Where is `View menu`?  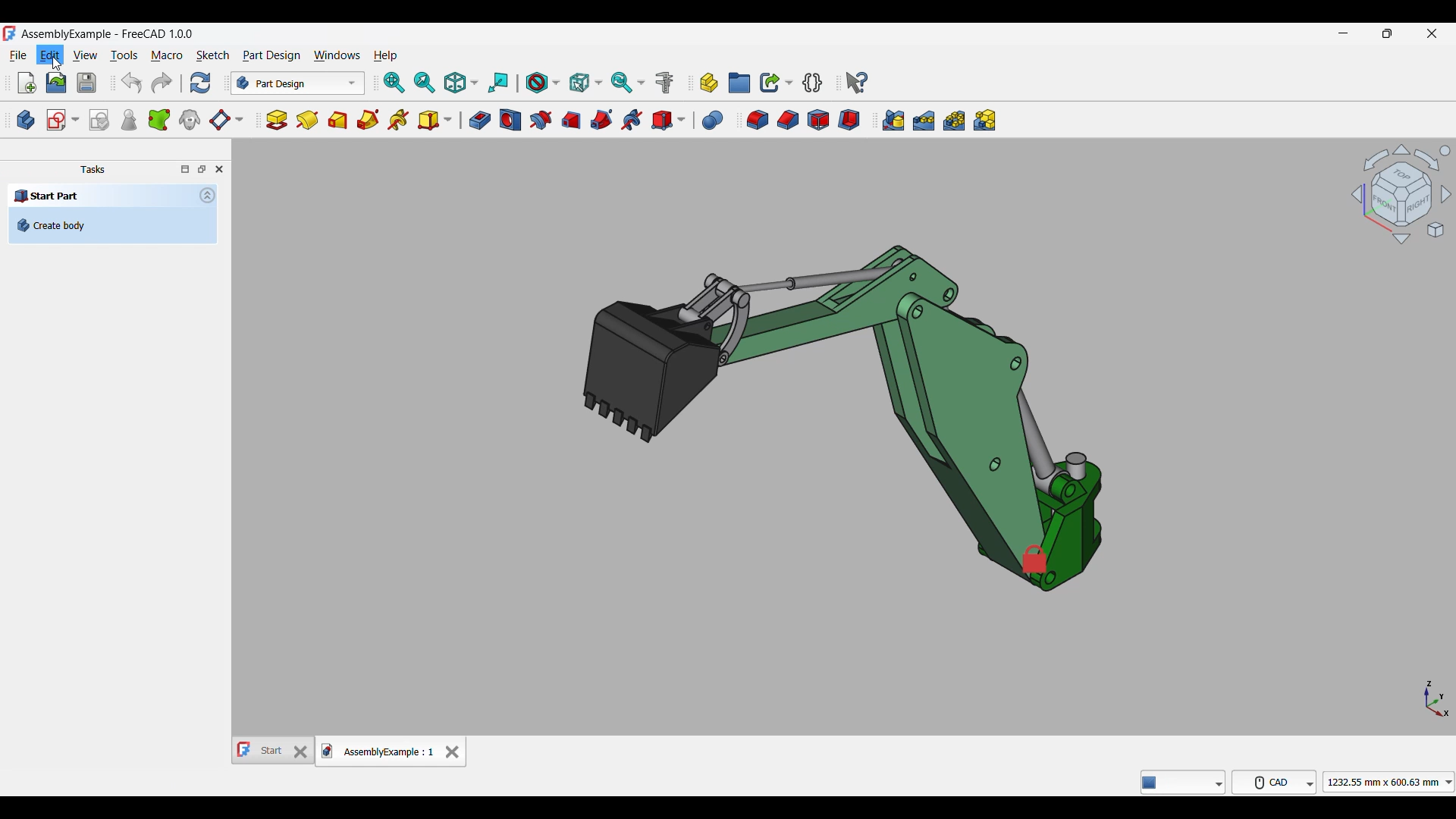
View menu is located at coordinates (85, 55).